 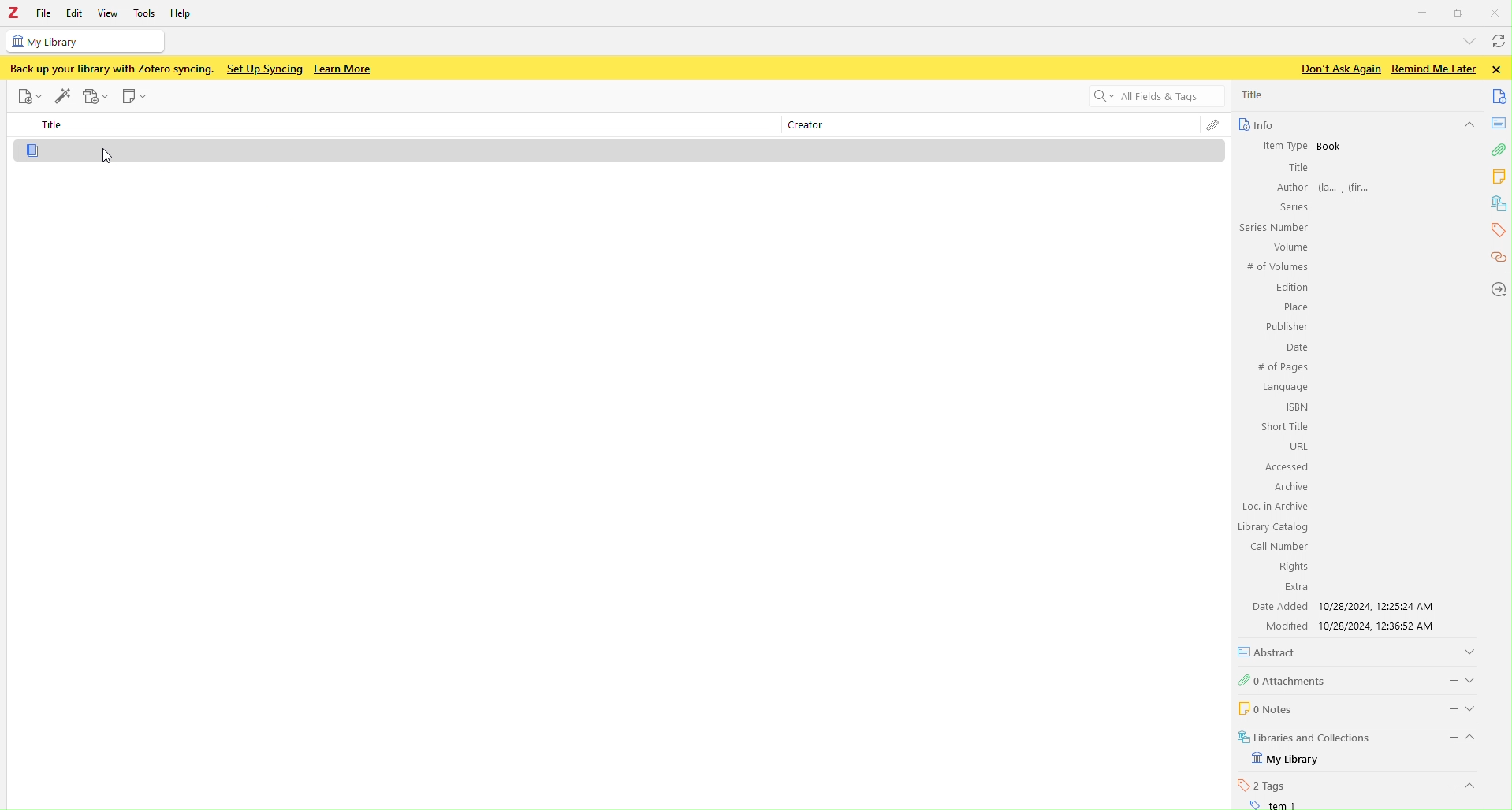 I want to click on Title, so click(x=1297, y=168).